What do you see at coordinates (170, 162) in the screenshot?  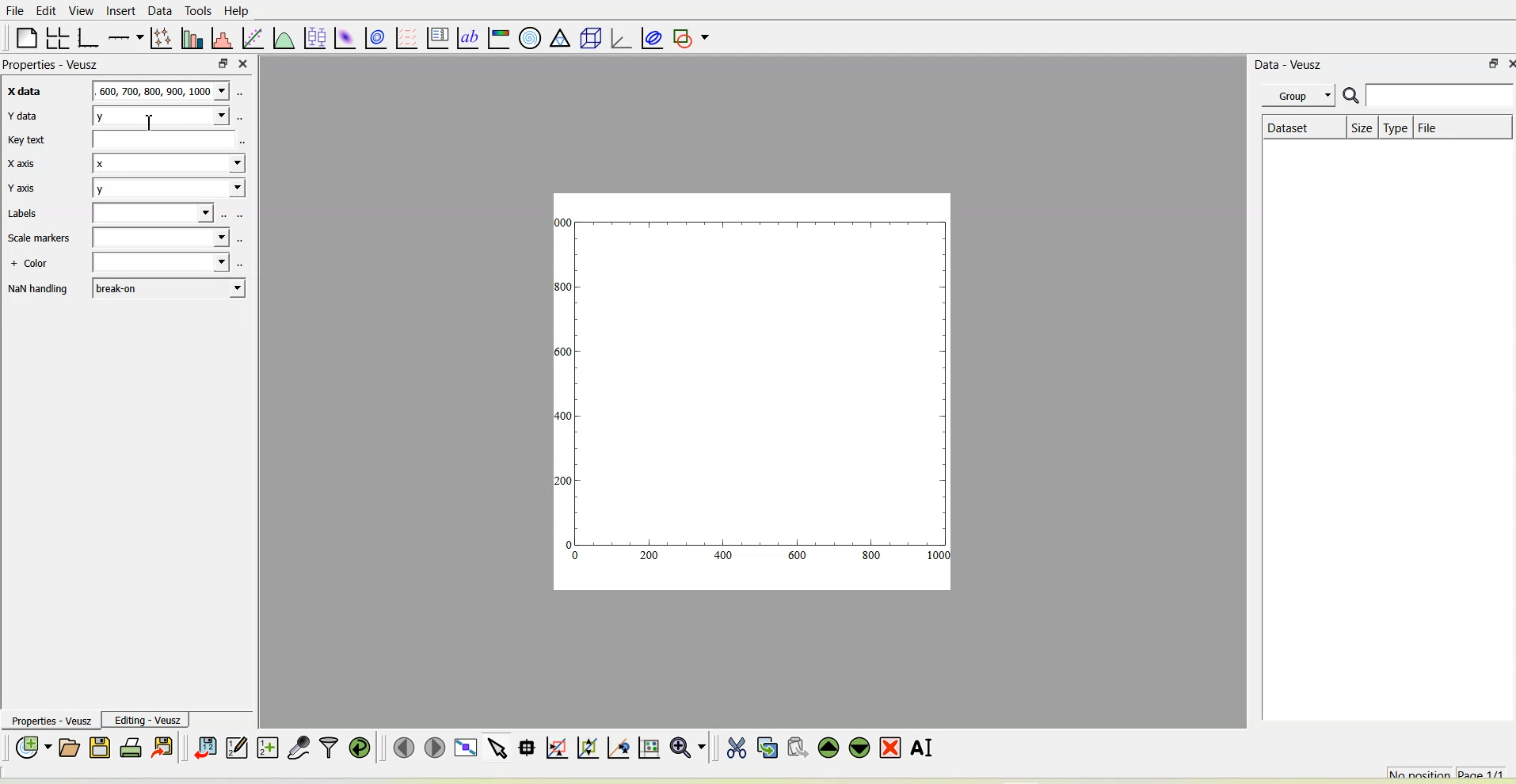 I see `x` at bounding box center [170, 162].